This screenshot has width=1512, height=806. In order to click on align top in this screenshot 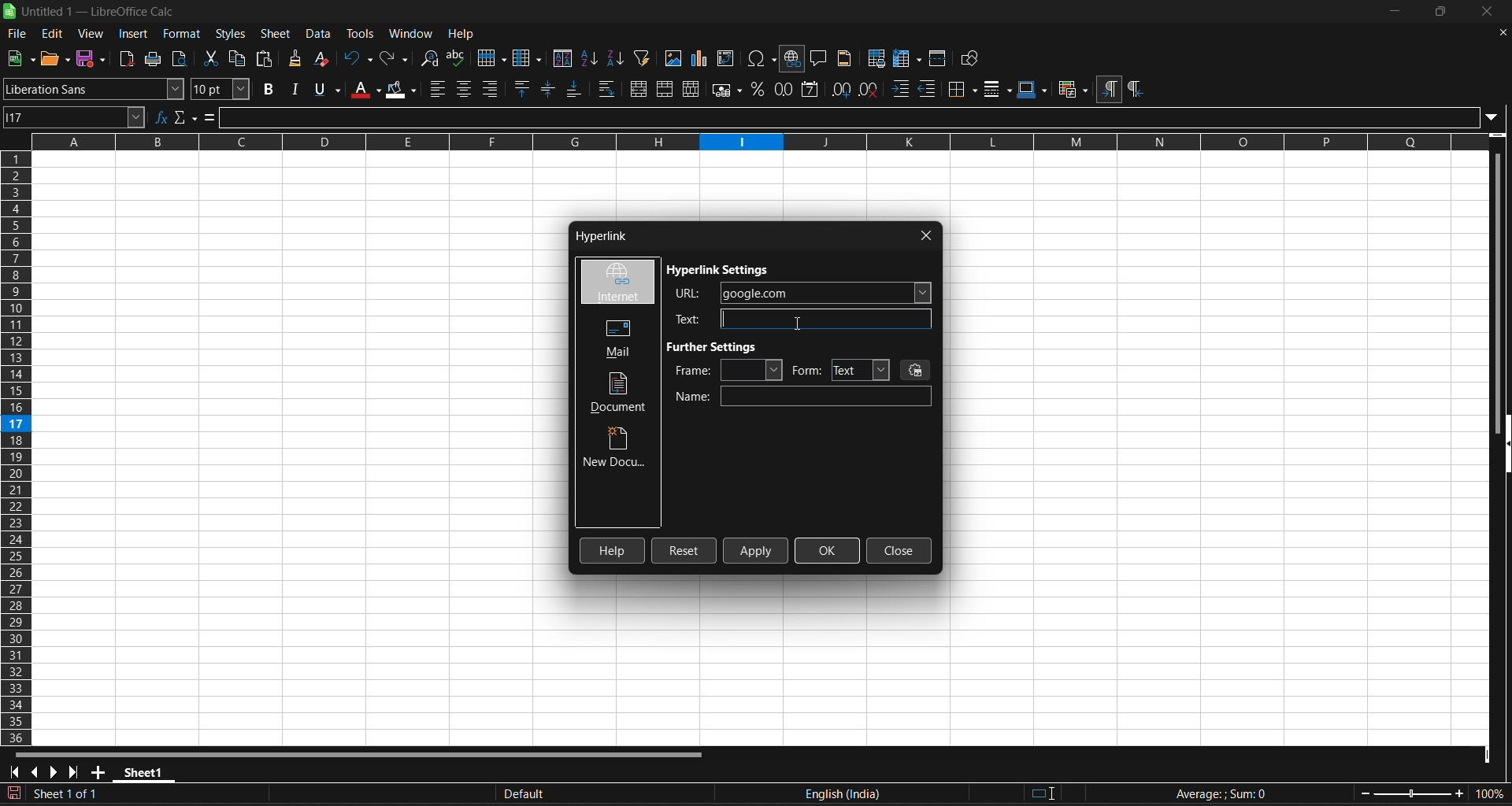, I will do `click(524, 88)`.